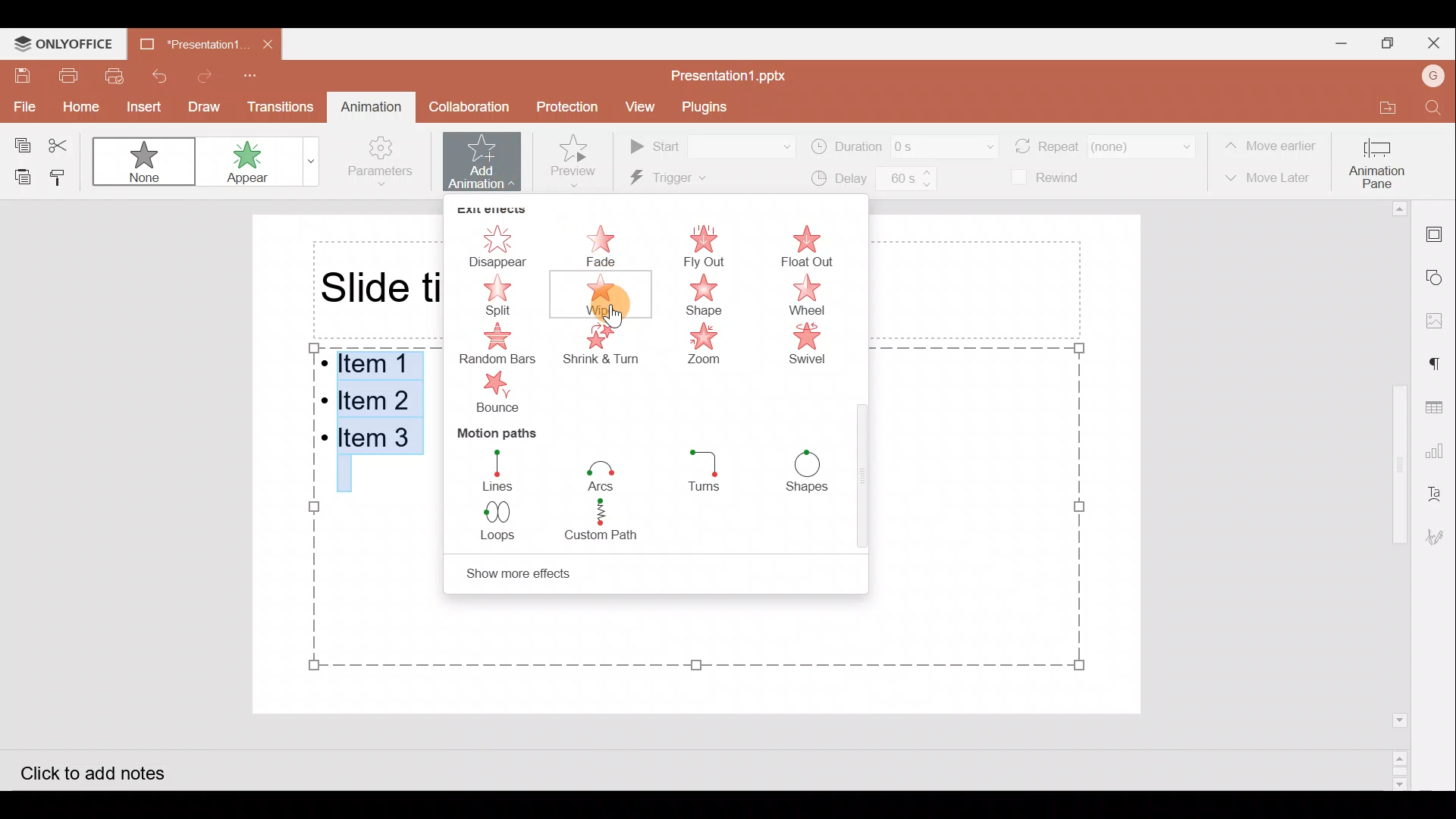  What do you see at coordinates (369, 104) in the screenshot?
I see `Animation` at bounding box center [369, 104].